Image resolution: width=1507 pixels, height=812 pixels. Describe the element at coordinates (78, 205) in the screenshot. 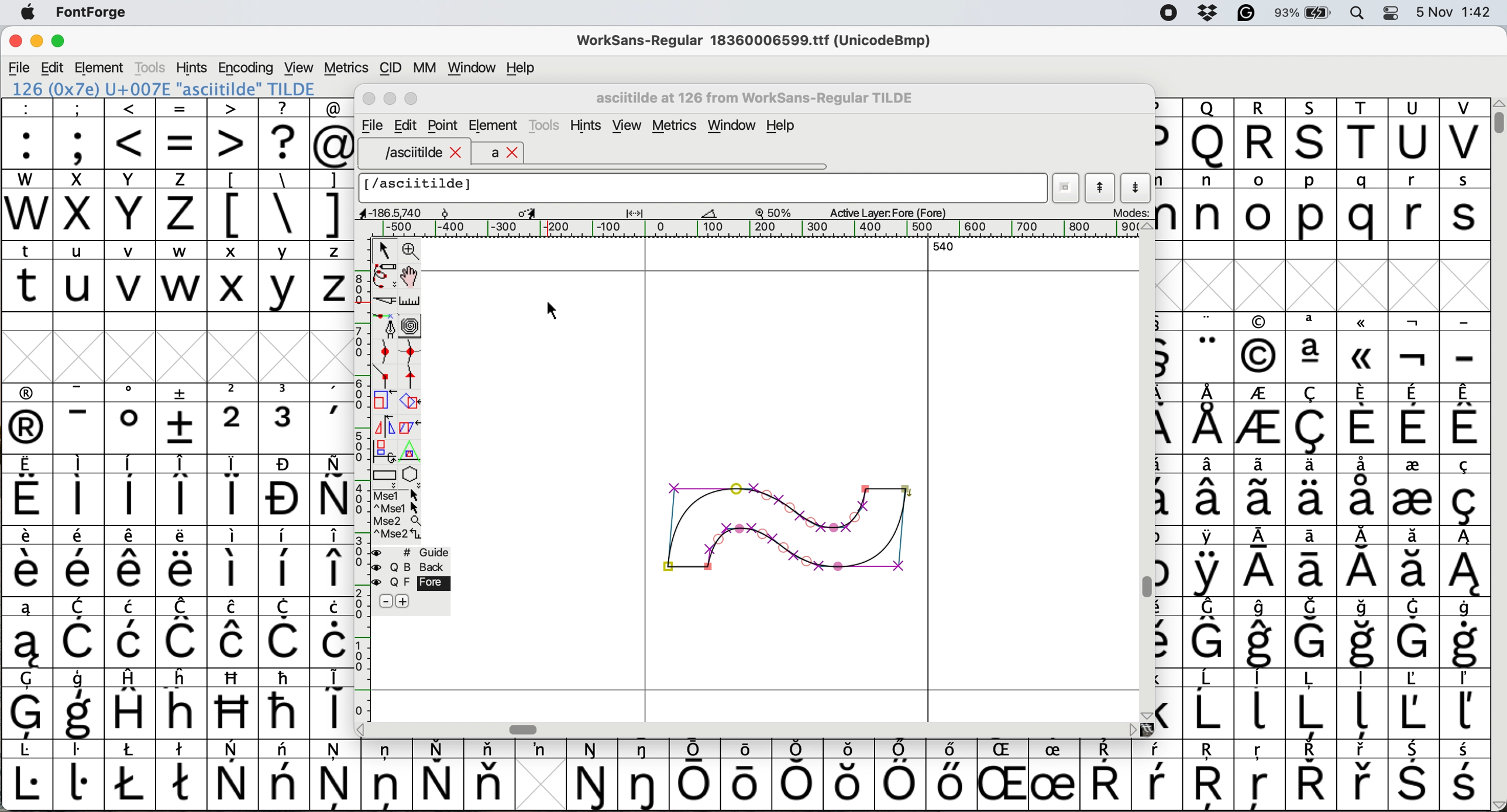

I see `x` at that location.